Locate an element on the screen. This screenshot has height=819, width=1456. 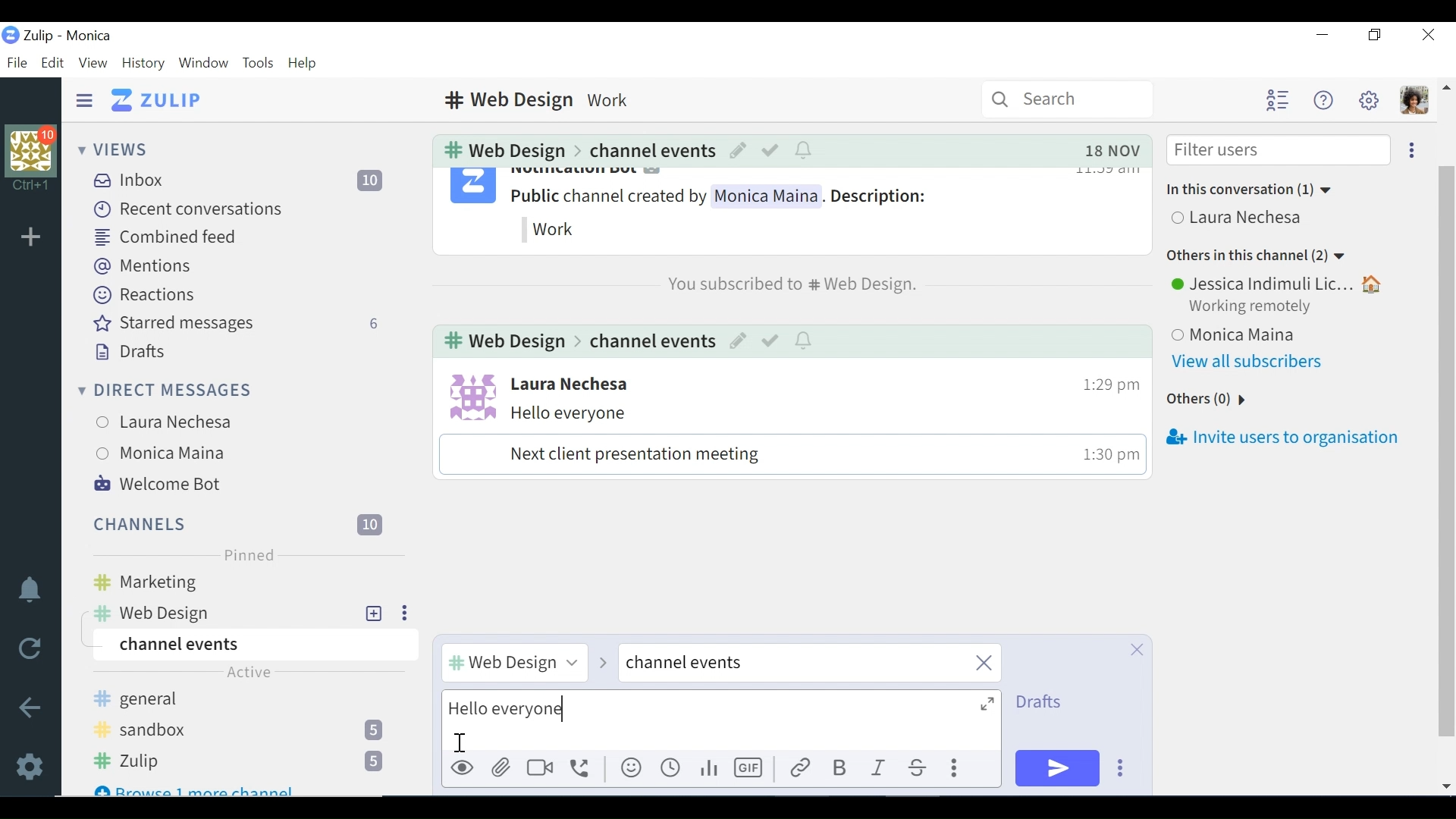
Invite users to organisation is located at coordinates (1281, 440).